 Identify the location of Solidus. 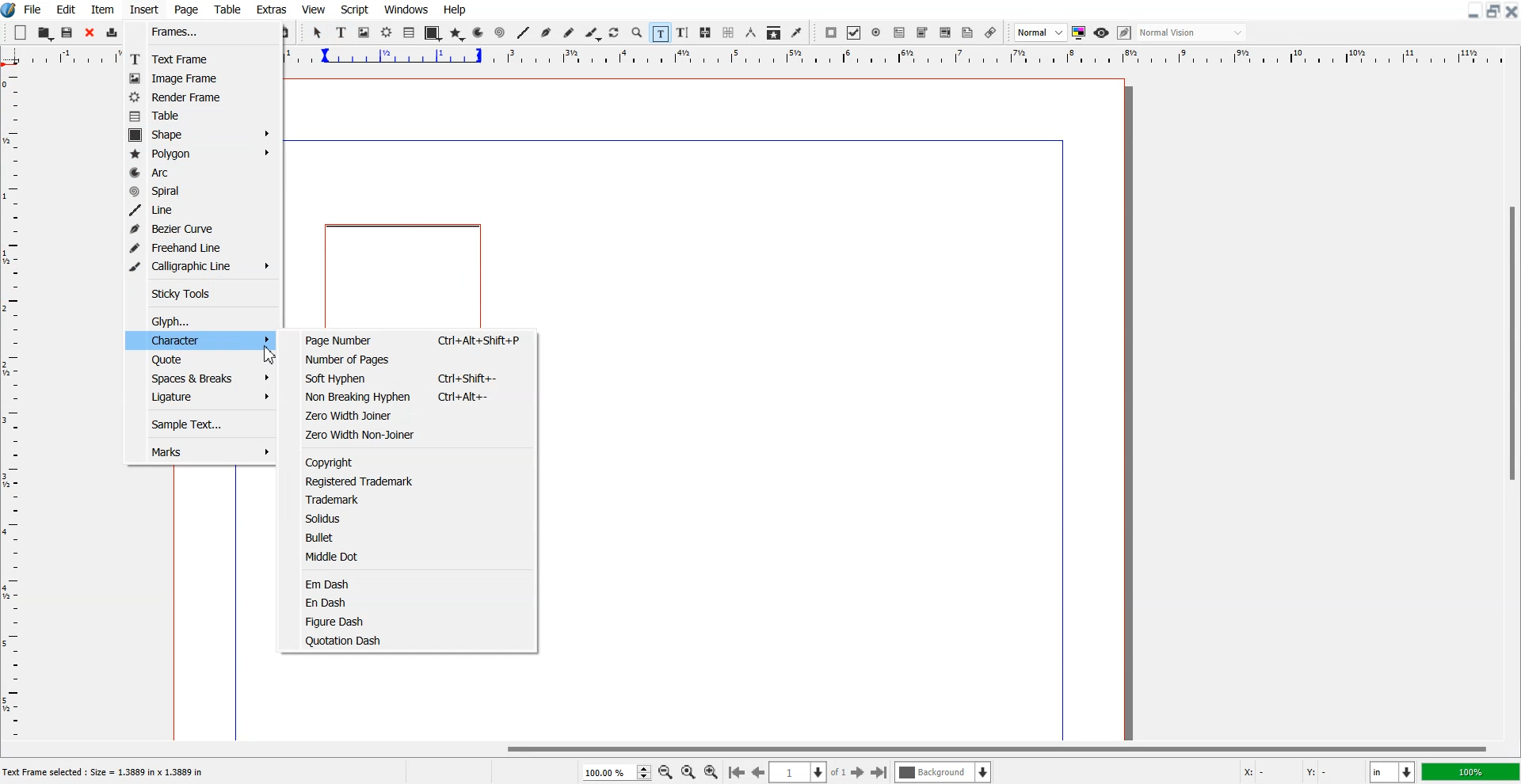
(414, 518).